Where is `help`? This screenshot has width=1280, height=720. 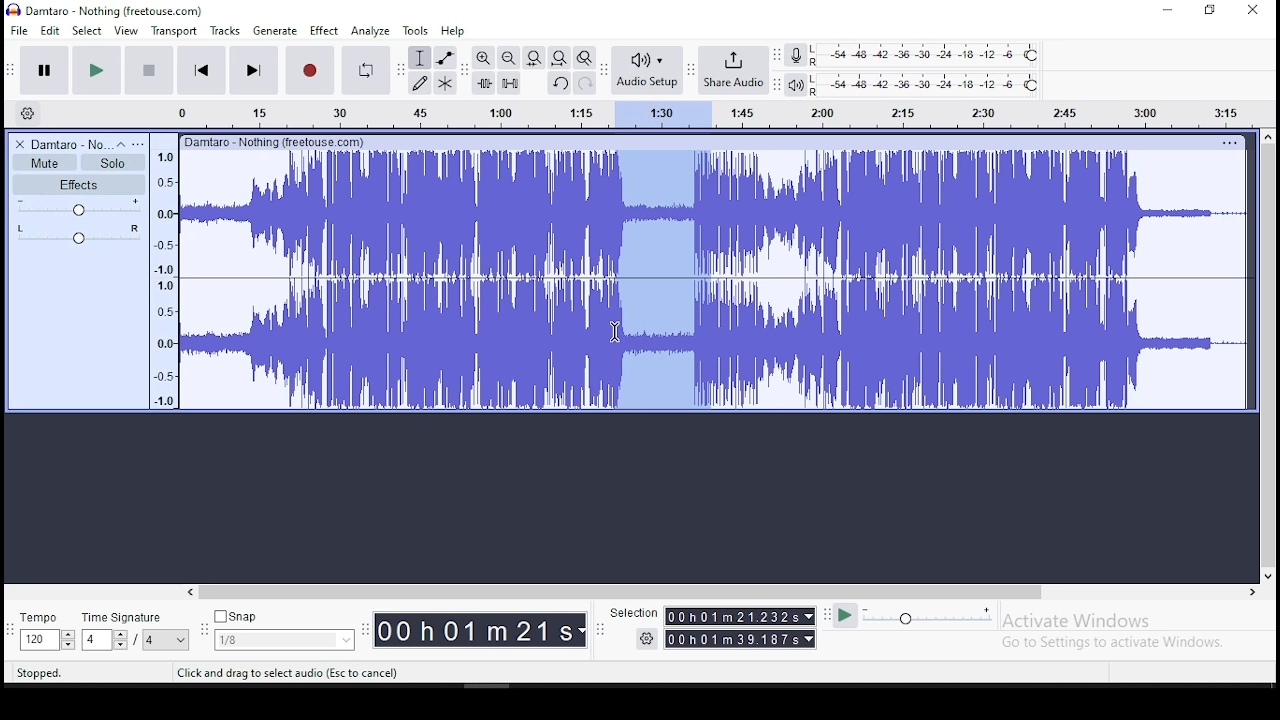 help is located at coordinates (453, 32).